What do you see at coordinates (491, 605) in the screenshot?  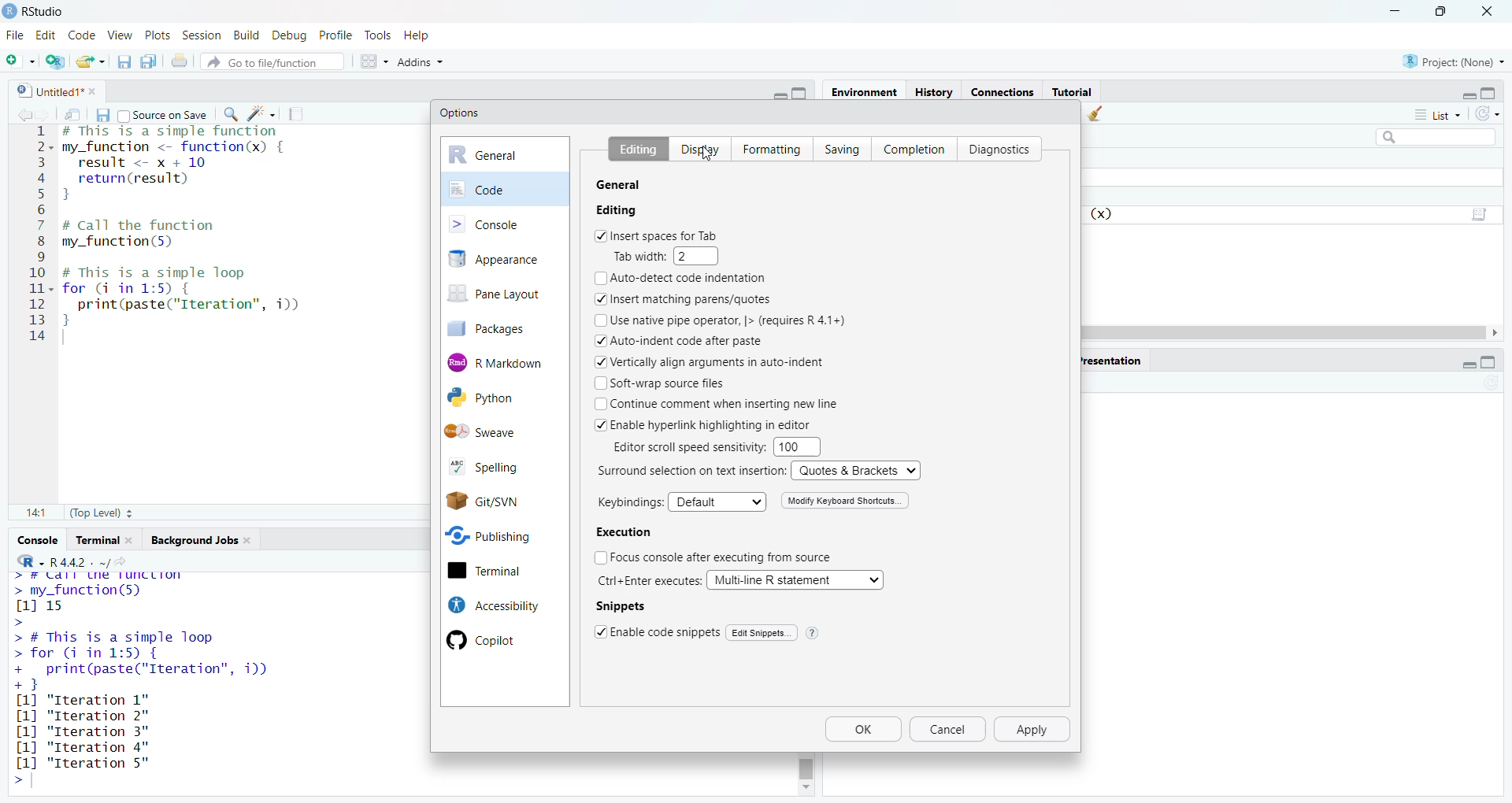 I see `Accessibility` at bounding box center [491, 605].